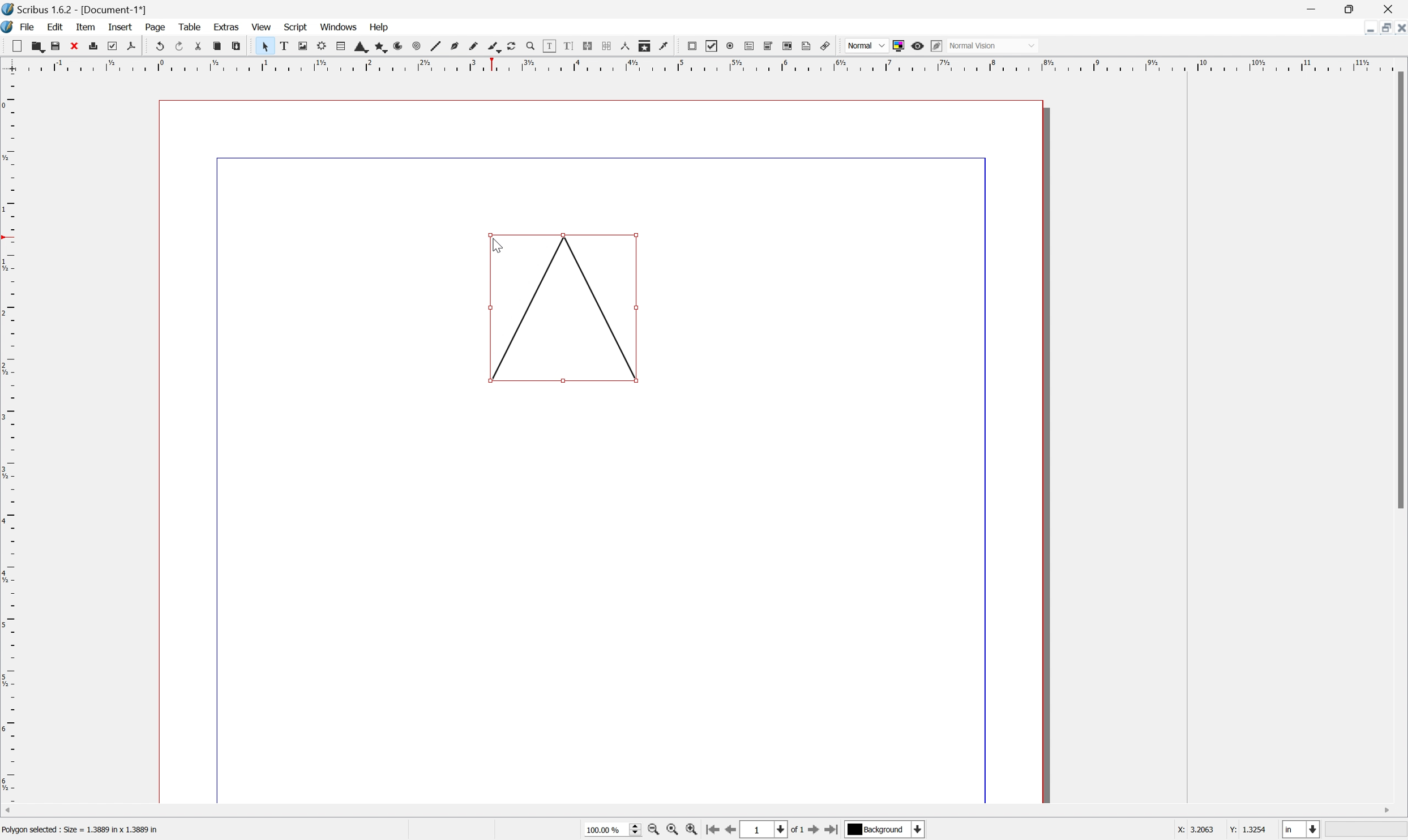 The height and width of the screenshot is (840, 1408). Describe the element at coordinates (917, 46) in the screenshot. I see `Preview mode` at that location.